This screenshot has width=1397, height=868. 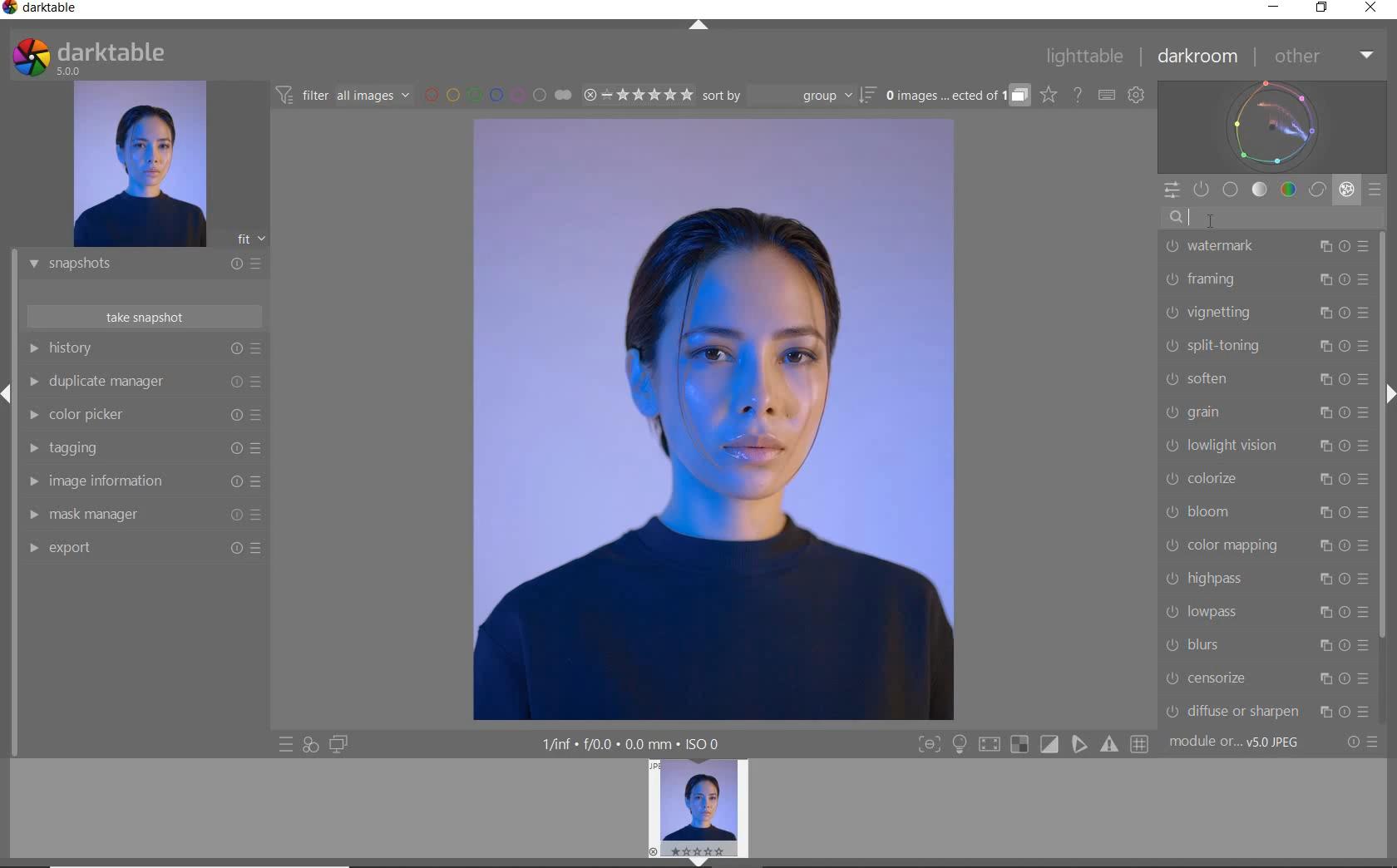 I want to click on EXPAND/COLLAPSE, so click(x=701, y=27).